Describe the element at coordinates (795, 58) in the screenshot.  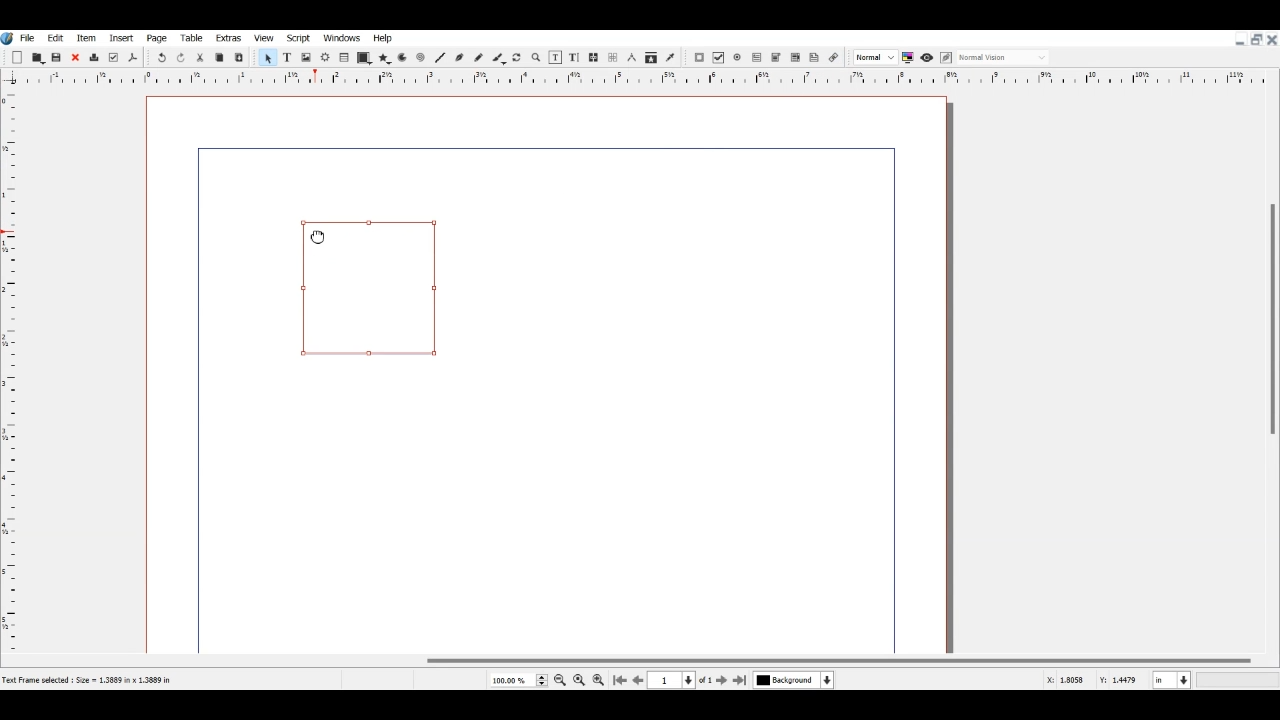
I see `PDF List Box` at that location.